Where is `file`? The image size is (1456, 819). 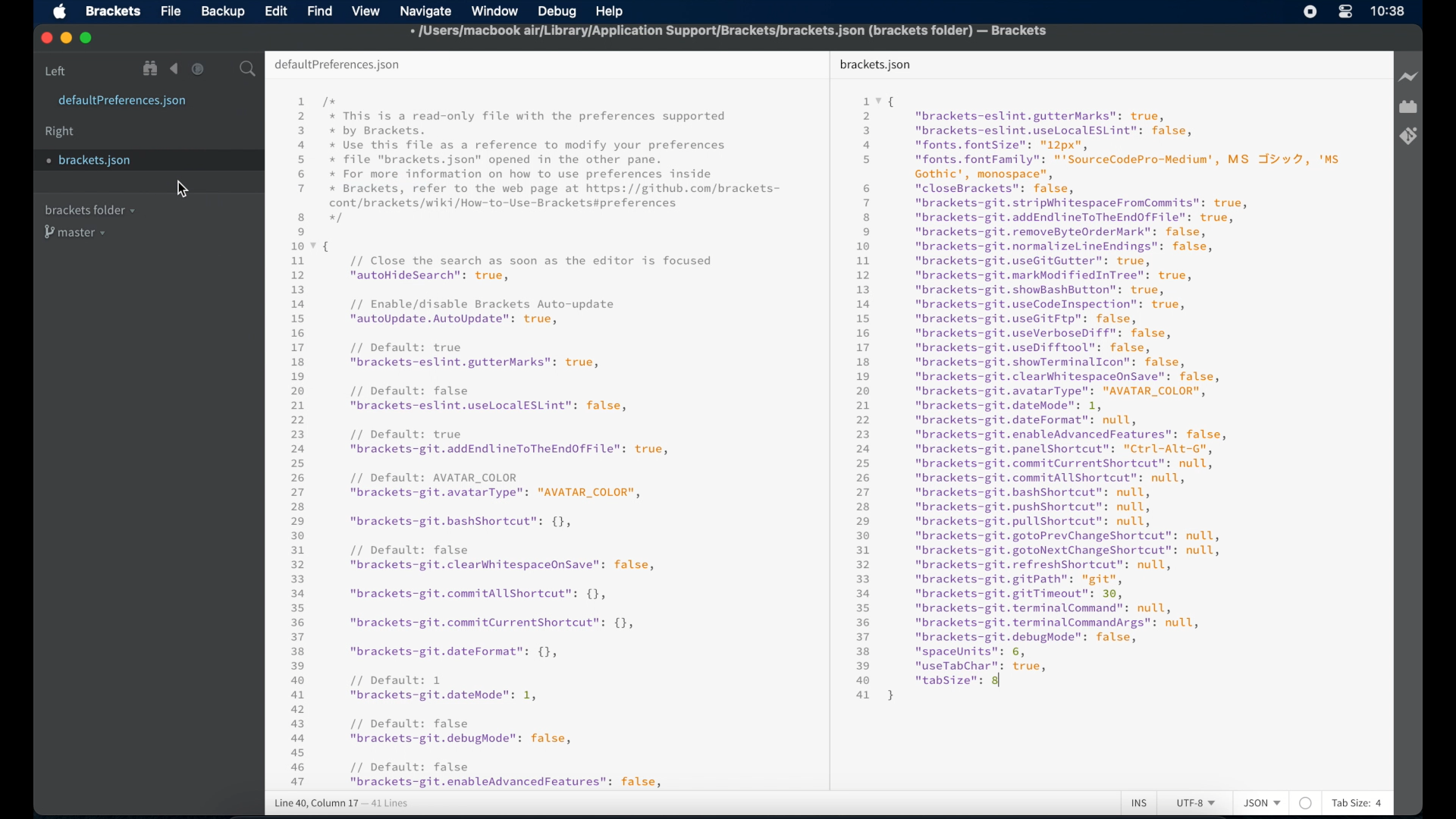
file is located at coordinates (172, 12).